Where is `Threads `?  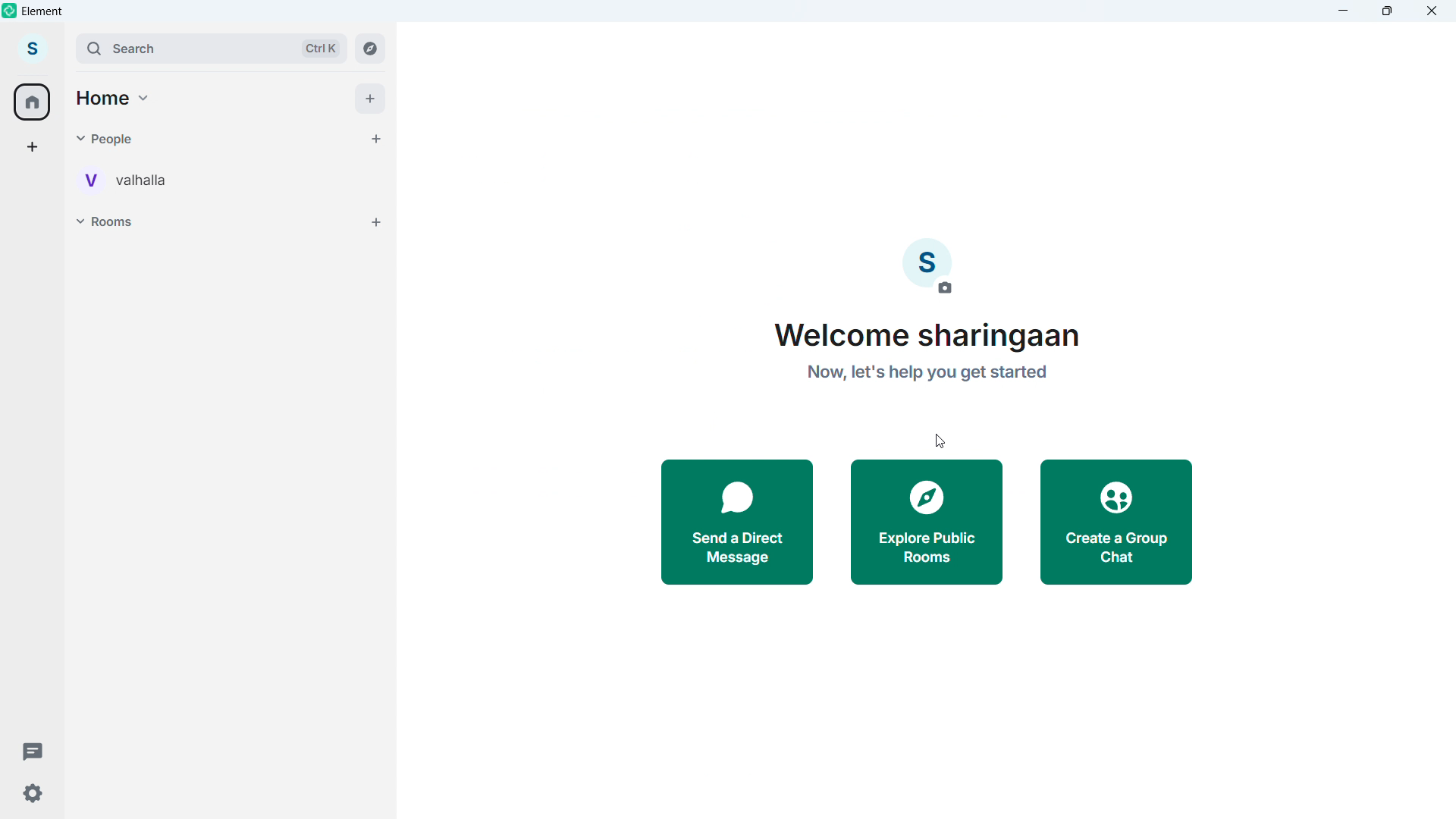
Threads  is located at coordinates (27, 748).